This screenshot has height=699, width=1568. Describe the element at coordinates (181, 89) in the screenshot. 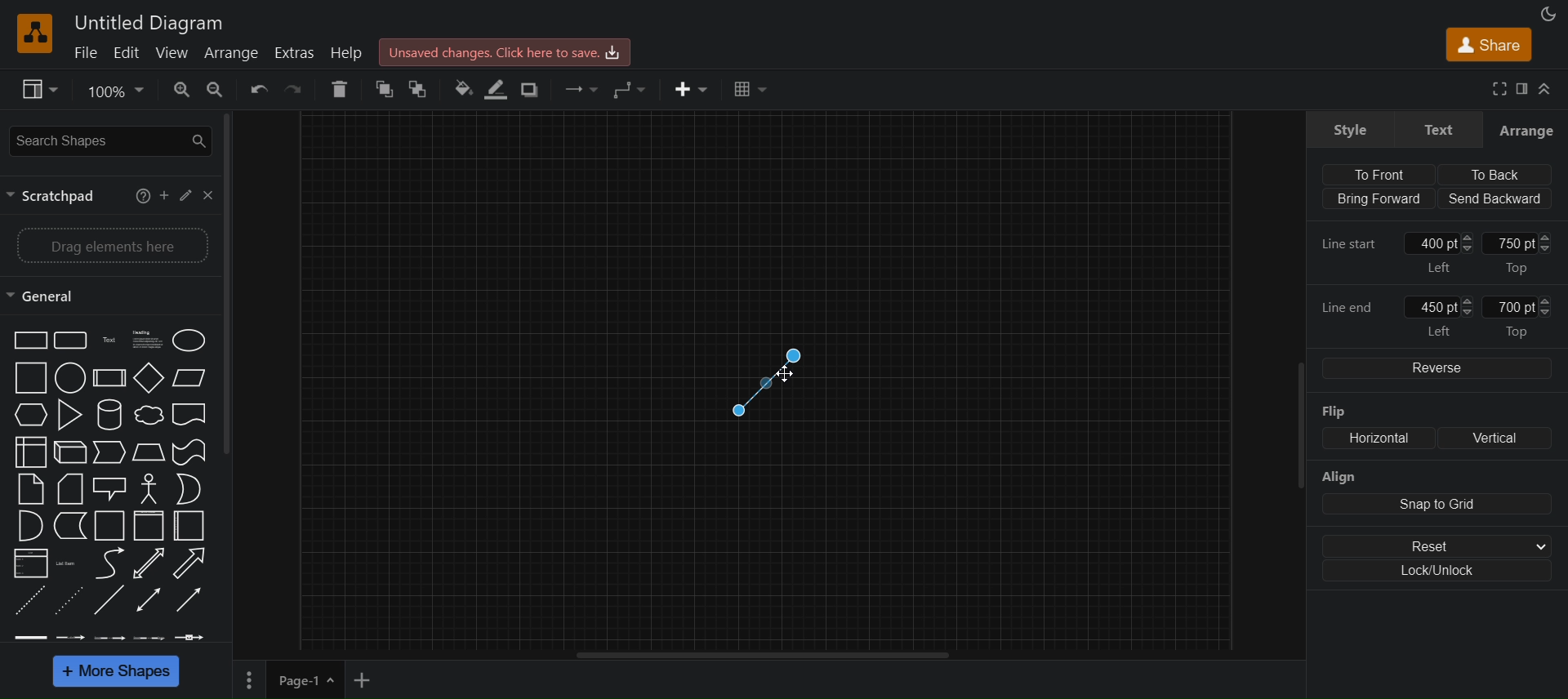

I see `zoom in` at that location.